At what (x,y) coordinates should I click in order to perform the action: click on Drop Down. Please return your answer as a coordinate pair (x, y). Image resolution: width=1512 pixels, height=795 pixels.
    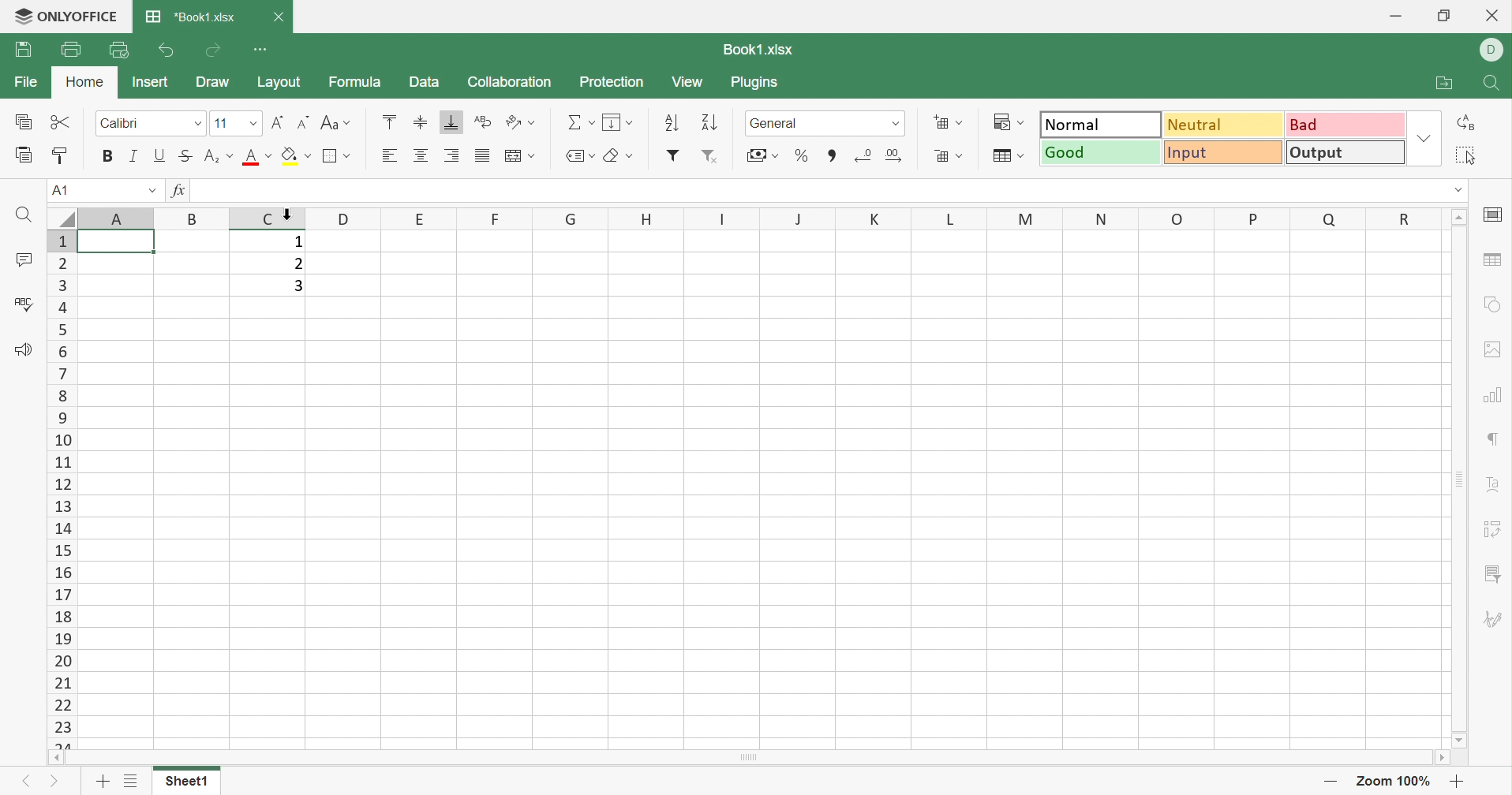
    Looking at the image, I should click on (347, 155).